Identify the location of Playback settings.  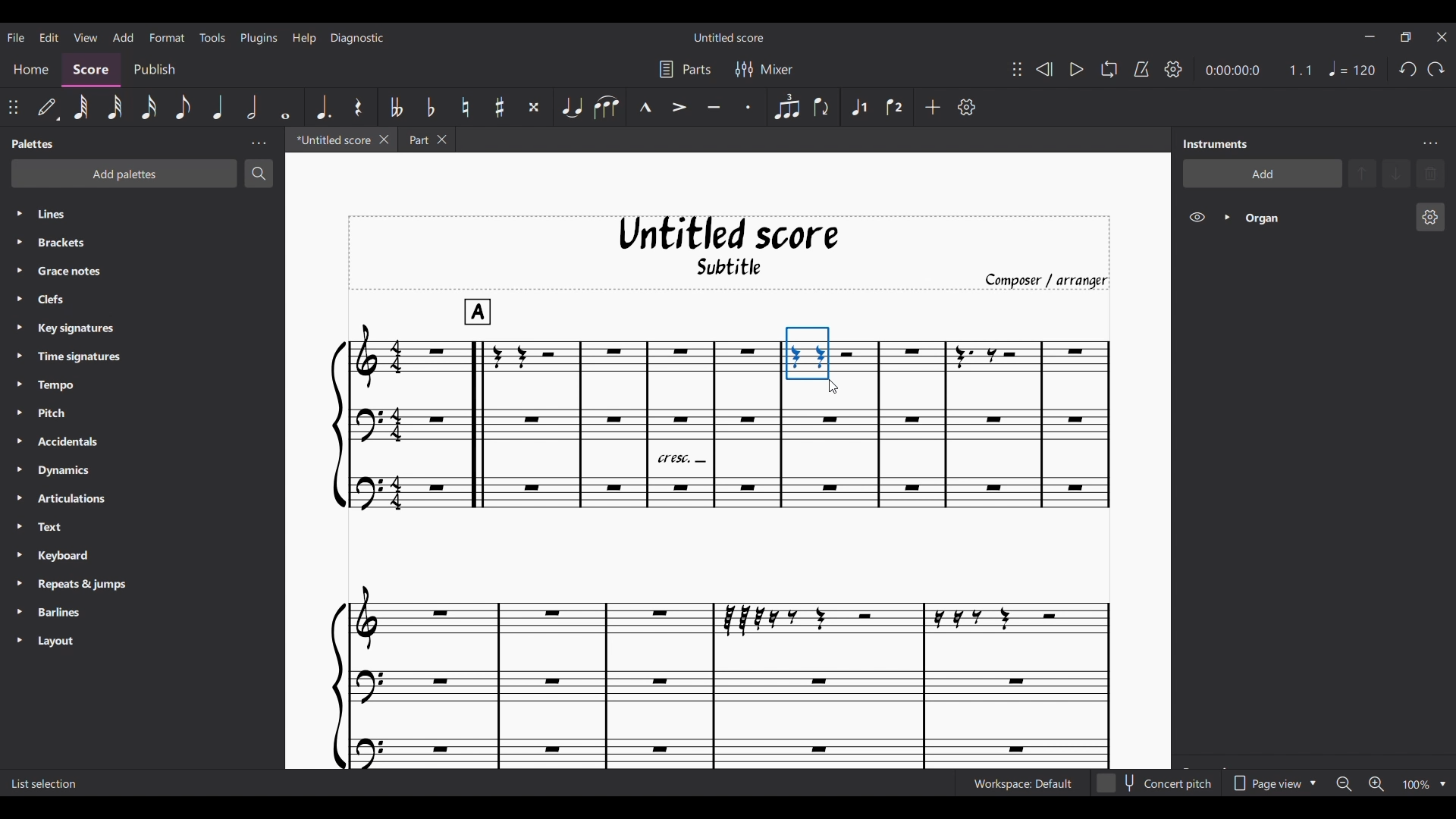
(1173, 69).